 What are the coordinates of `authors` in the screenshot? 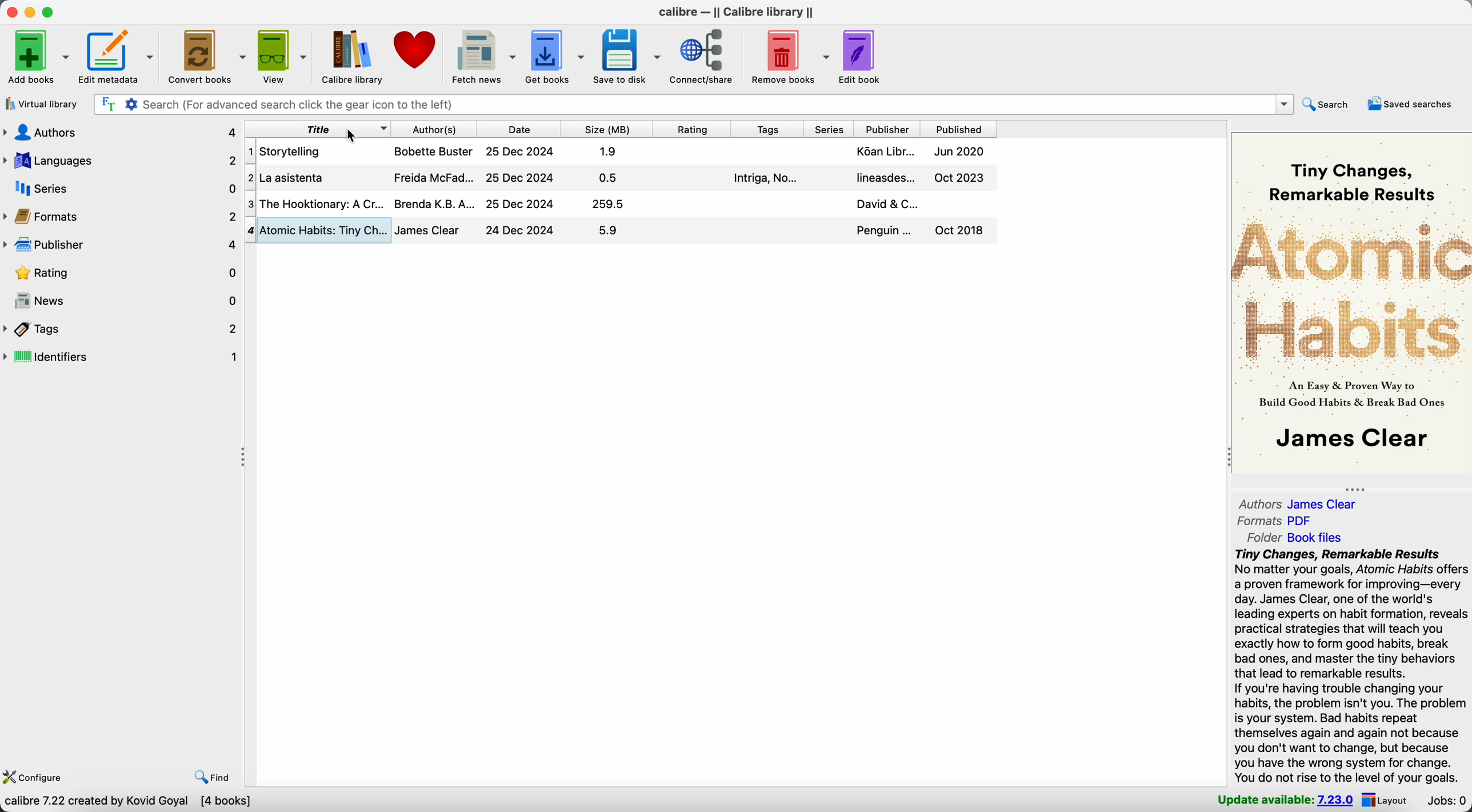 It's located at (435, 129).